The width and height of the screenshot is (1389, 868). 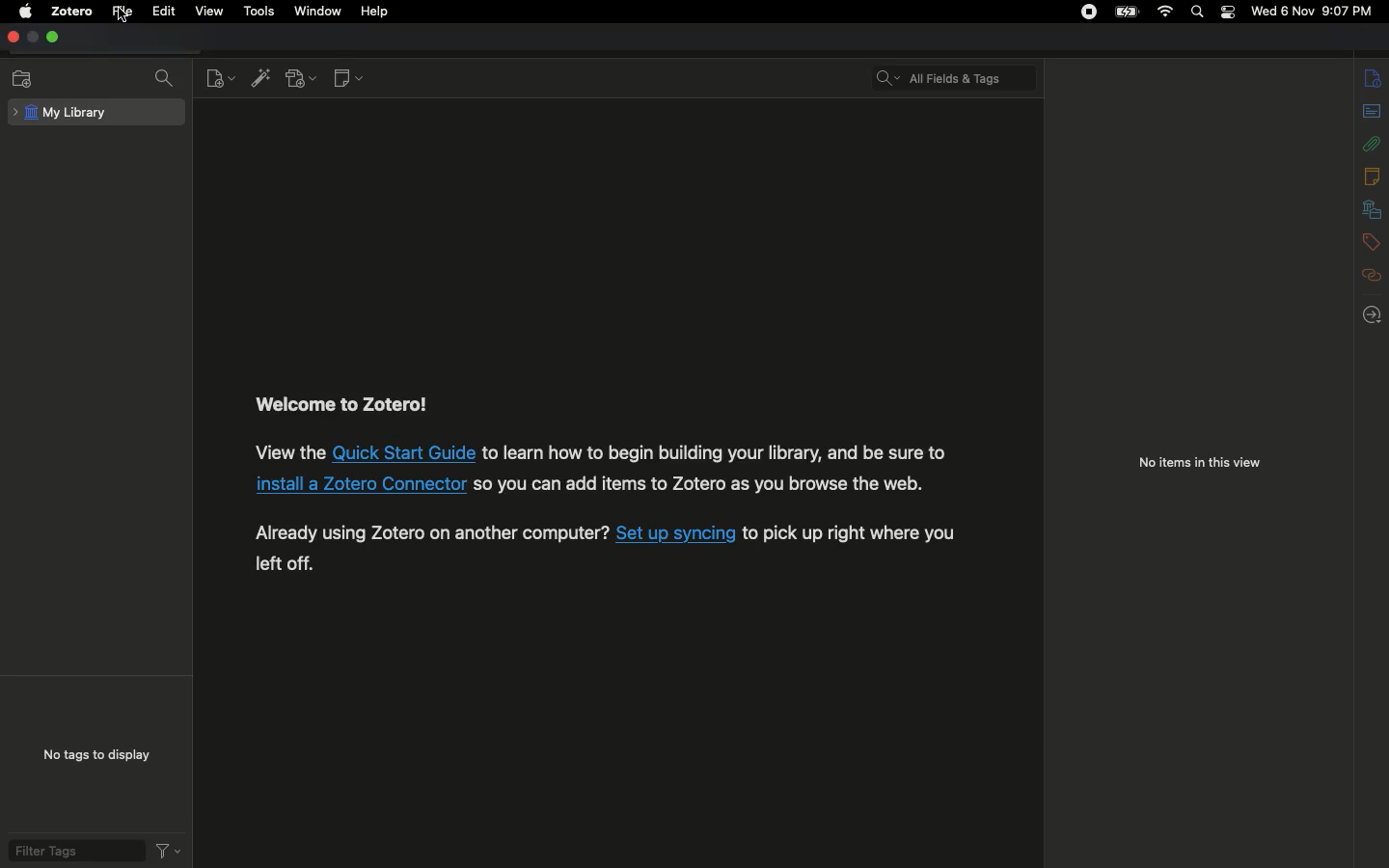 What do you see at coordinates (24, 13) in the screenshot?
I see `Apple logo` at bounding box center [24, 13].